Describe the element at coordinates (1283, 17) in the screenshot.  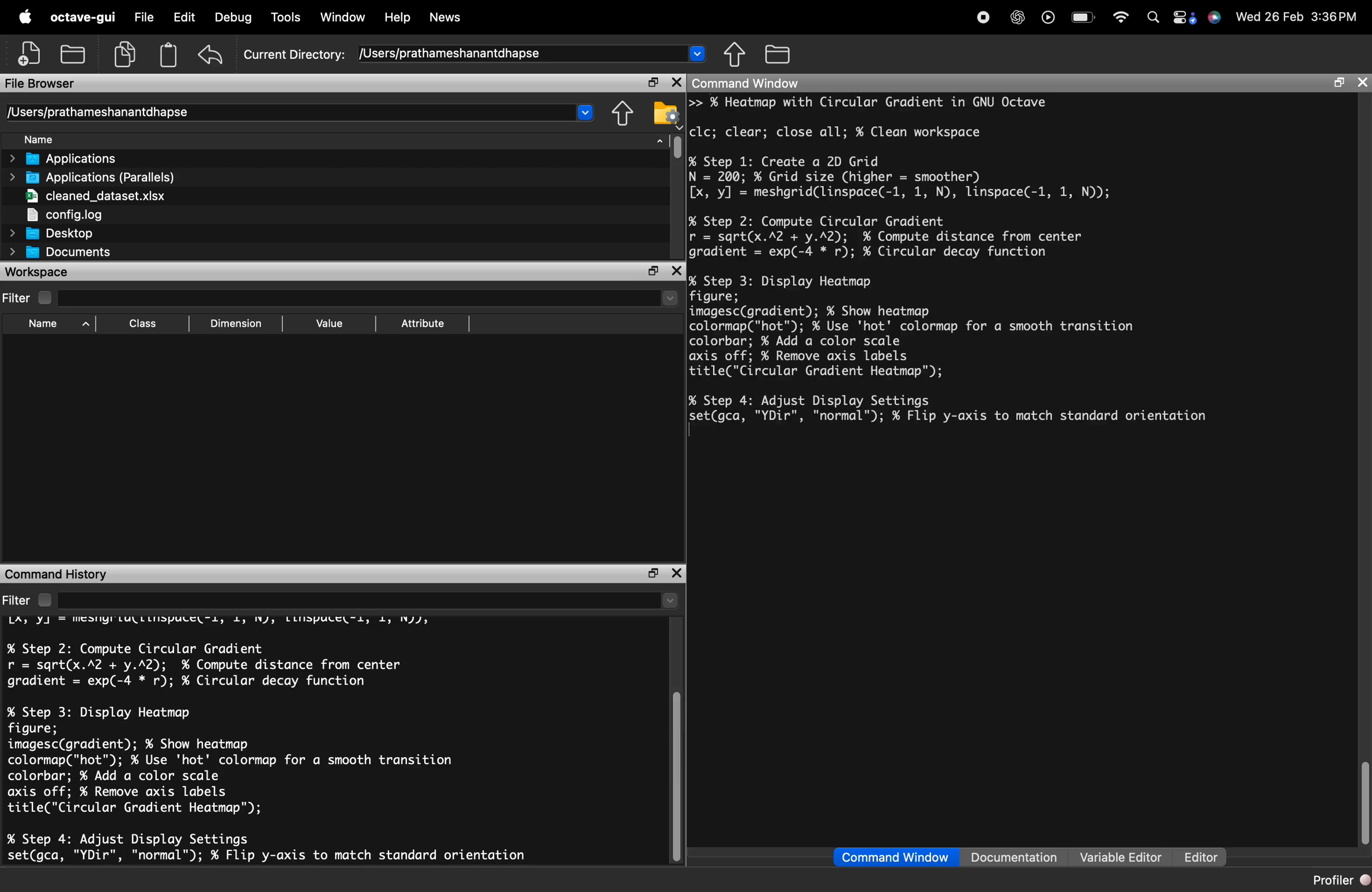
I see `26 Feb` at that location.